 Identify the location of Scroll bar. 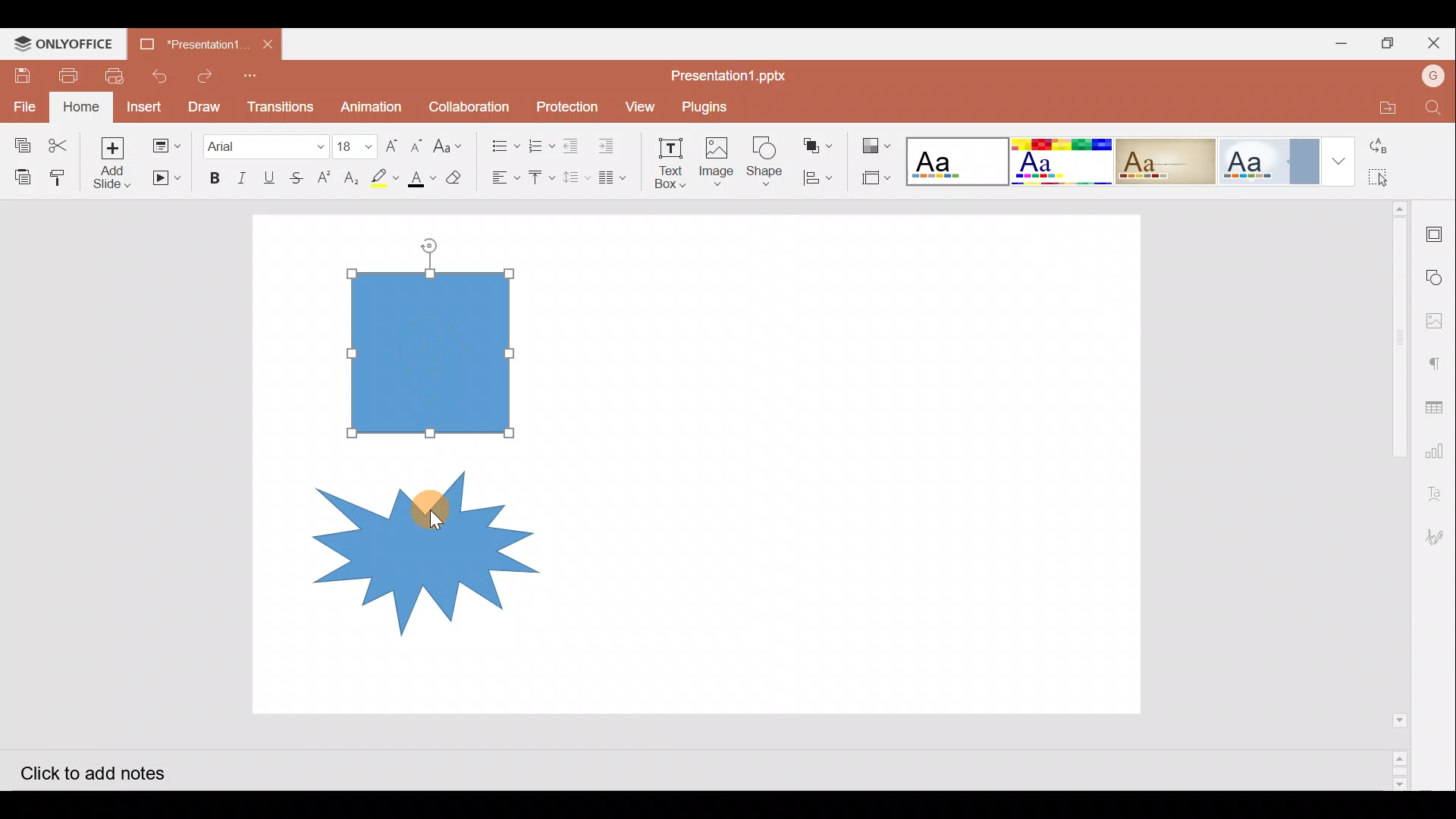
(1389, 494).